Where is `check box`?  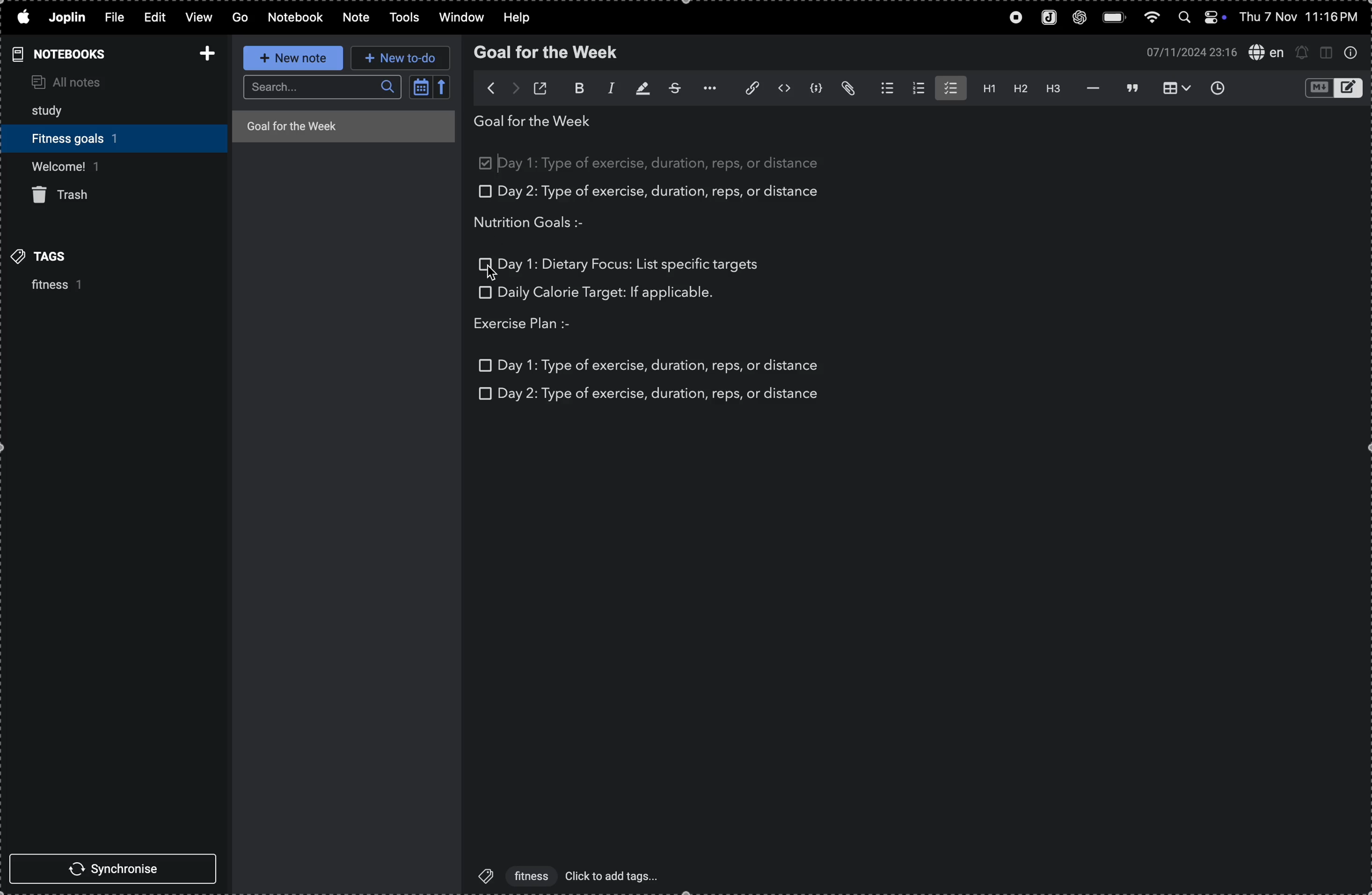 check box is located at coordinates (487, 165).